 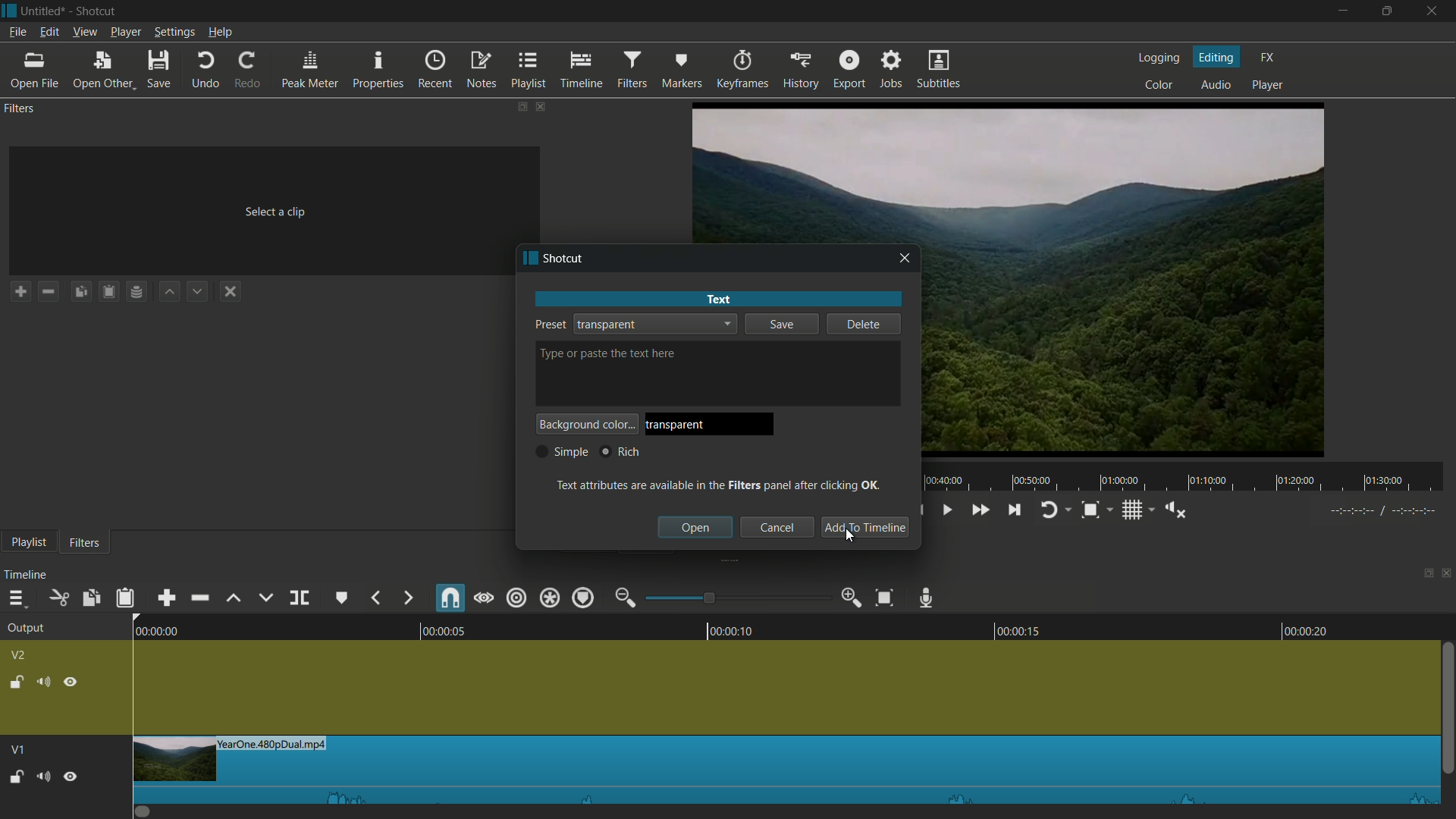 I want to click on history, so click(x=800, y=71).